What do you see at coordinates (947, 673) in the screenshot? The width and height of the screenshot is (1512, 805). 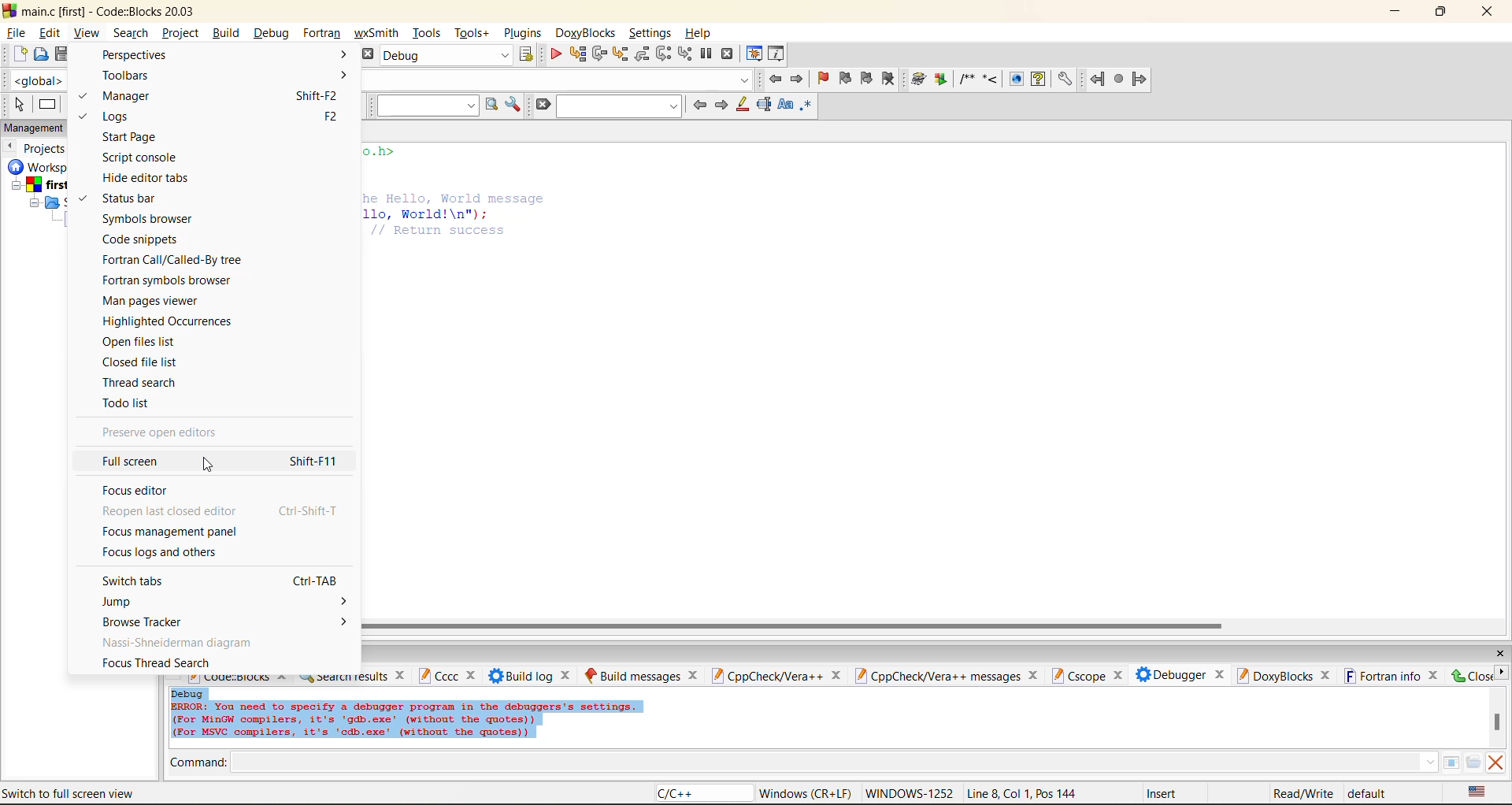 I see `cppcheck/vera++messages` at bounding box center [947, 673].